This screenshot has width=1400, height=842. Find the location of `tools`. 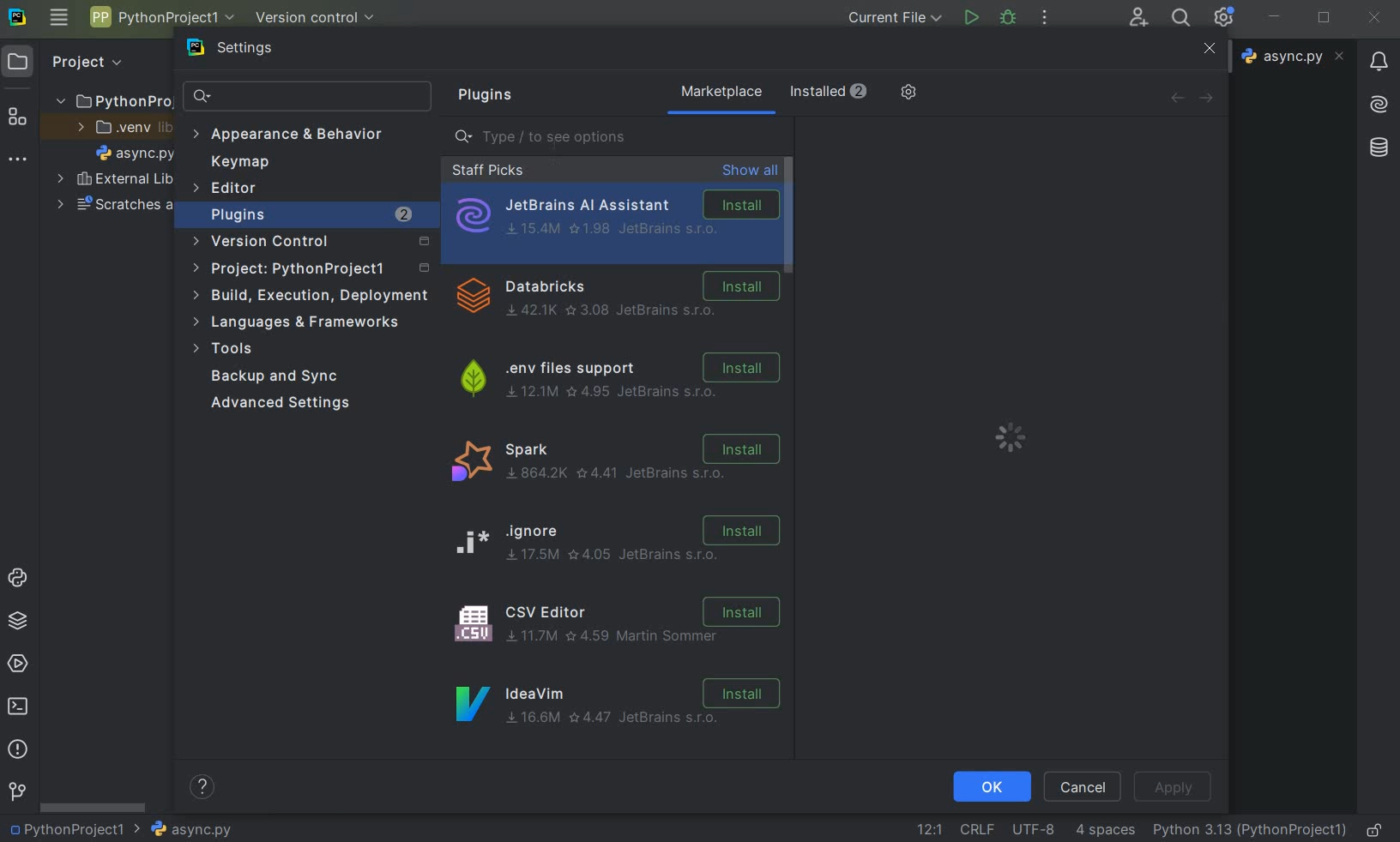

tools is located at coordinates (227, 351).